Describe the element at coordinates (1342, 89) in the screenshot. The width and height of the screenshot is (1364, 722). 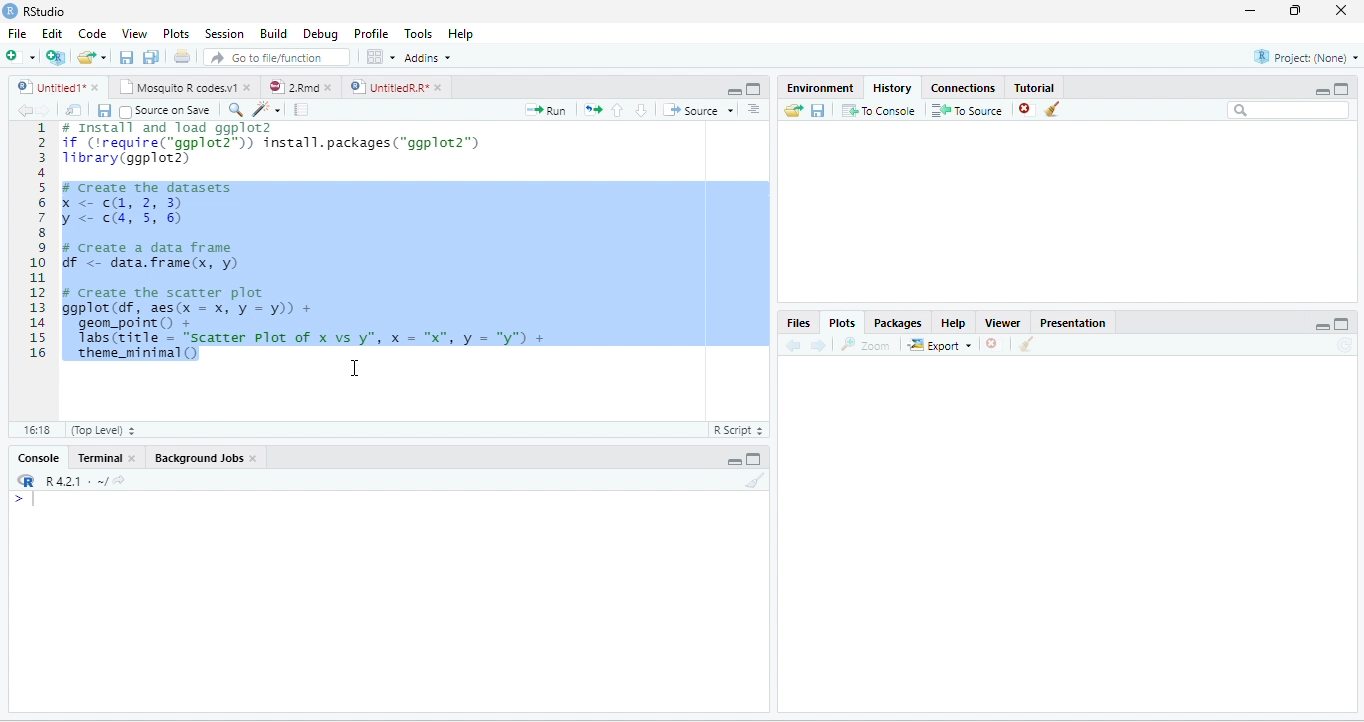
I see `Maximize` at that location.